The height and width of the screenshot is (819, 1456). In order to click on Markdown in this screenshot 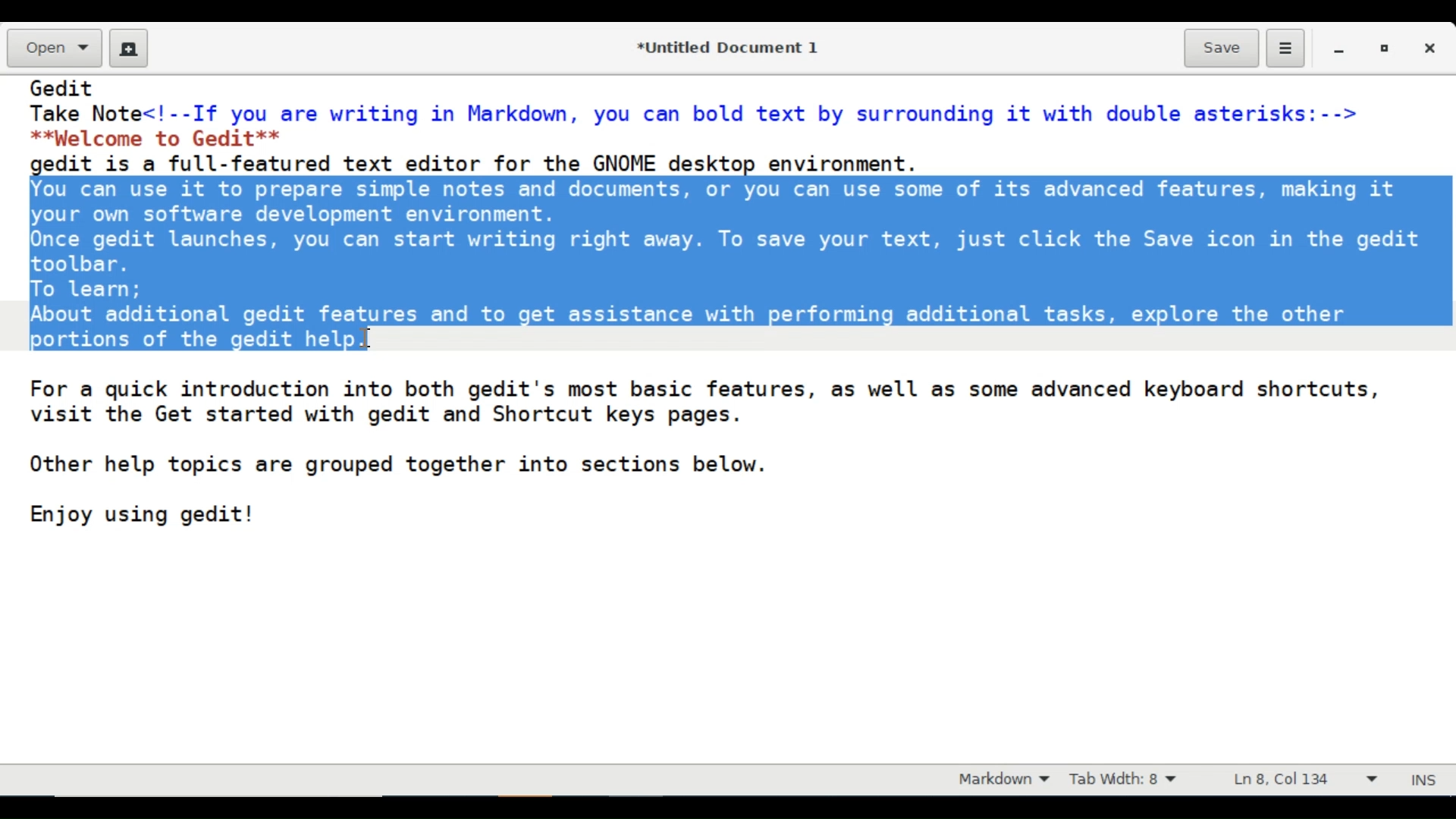, I will do `click(999, 780)`.